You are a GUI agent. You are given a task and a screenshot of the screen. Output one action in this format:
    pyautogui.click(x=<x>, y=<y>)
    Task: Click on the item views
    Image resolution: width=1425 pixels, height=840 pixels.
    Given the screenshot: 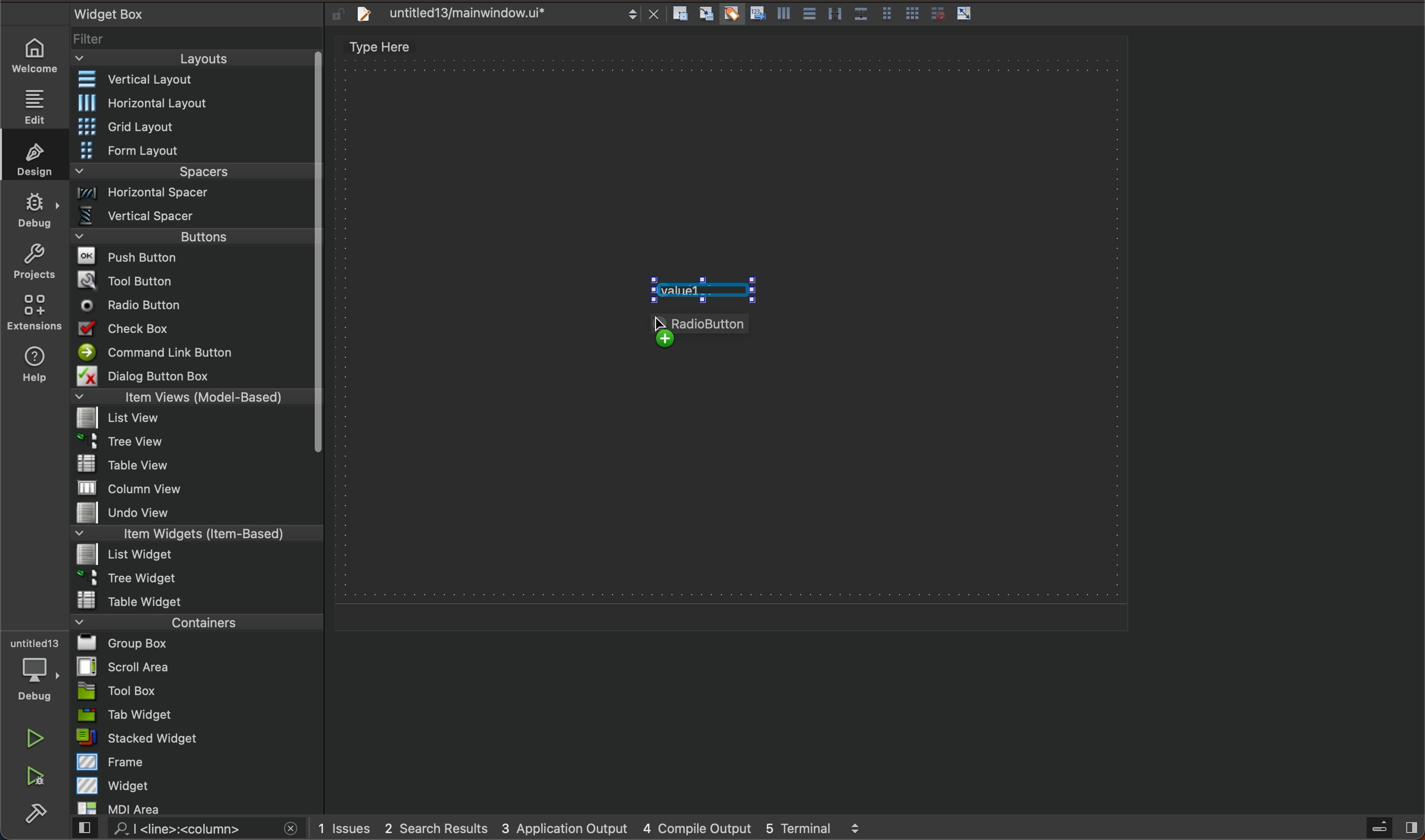 What is the action you would take?
    pyautogui.click(x=190, y=399)
    